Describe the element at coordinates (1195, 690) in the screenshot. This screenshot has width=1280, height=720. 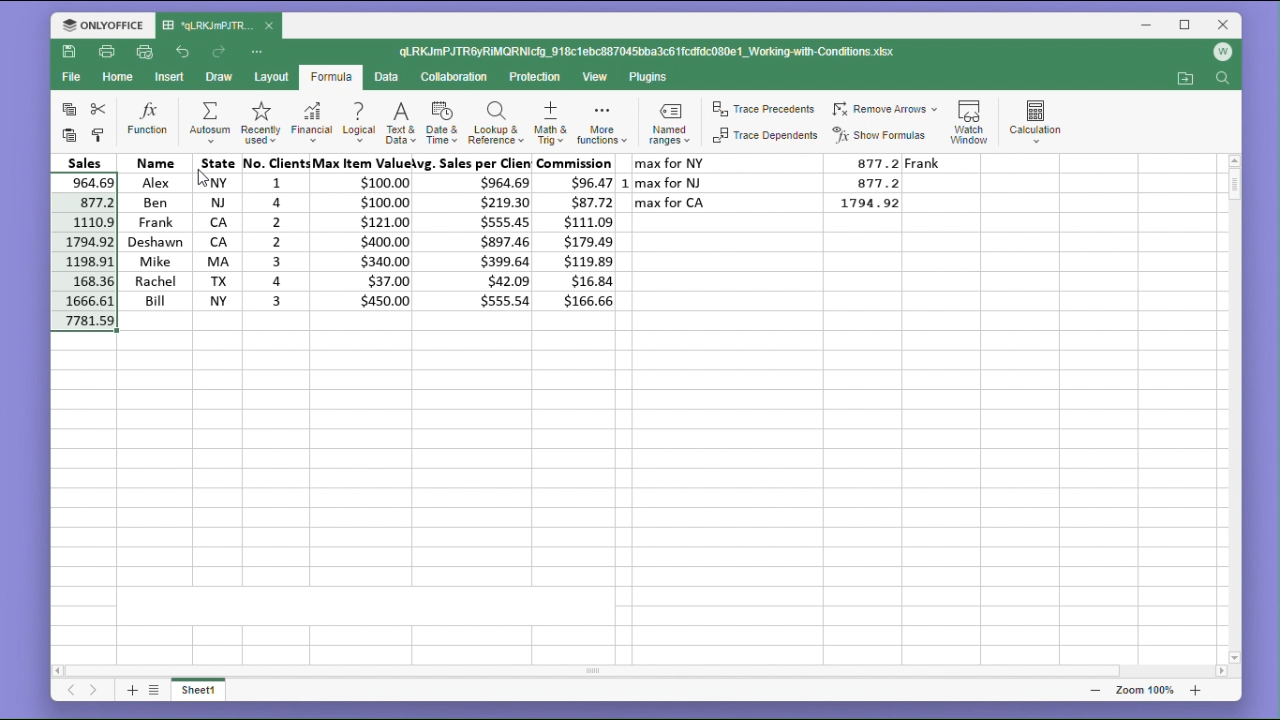
I see `zoom in` at that location.